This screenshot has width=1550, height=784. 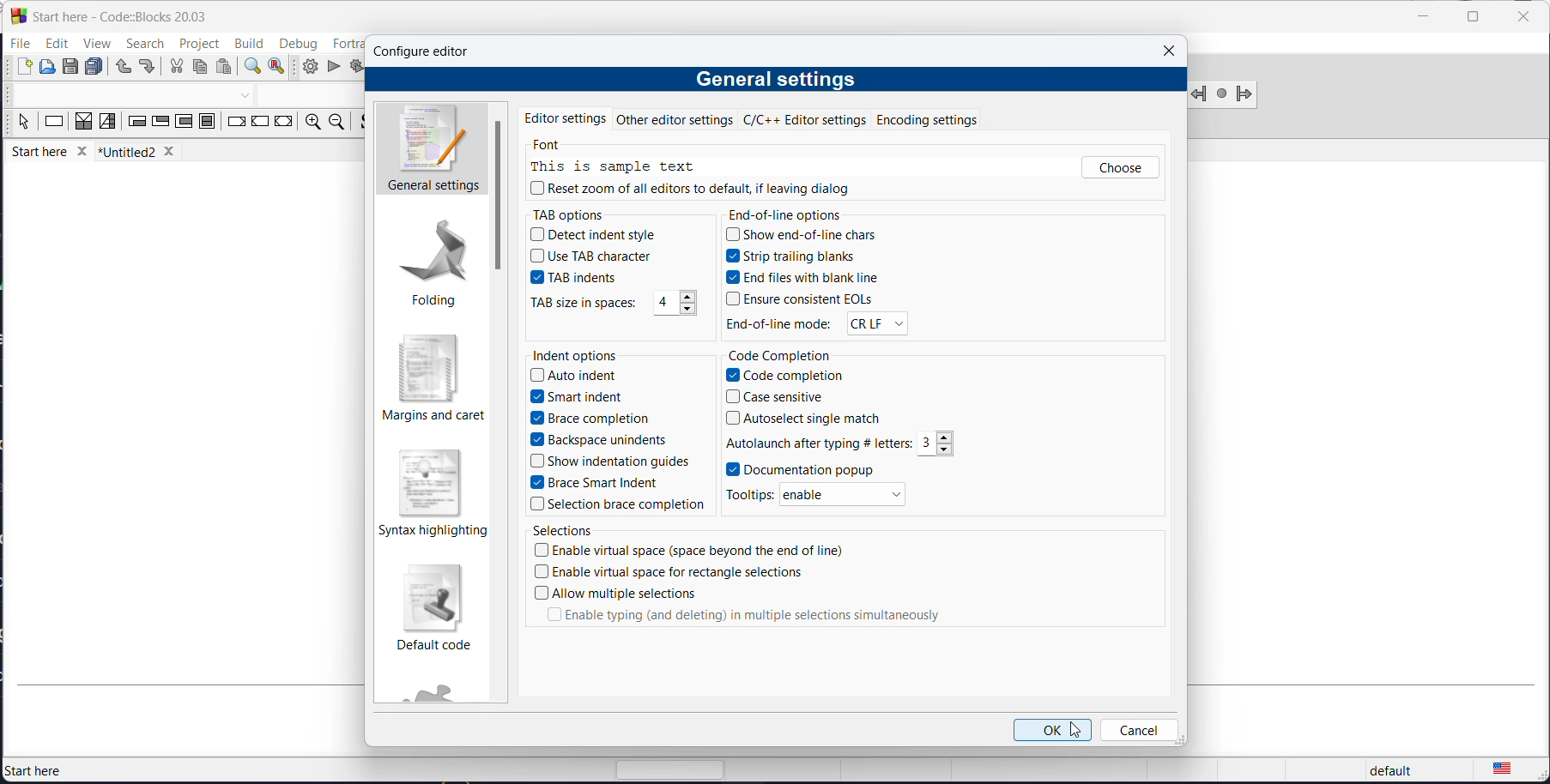 What do you see at coordinates (199, 69) in the screenshot?
I see `copy` at bounding box center [199, 69].